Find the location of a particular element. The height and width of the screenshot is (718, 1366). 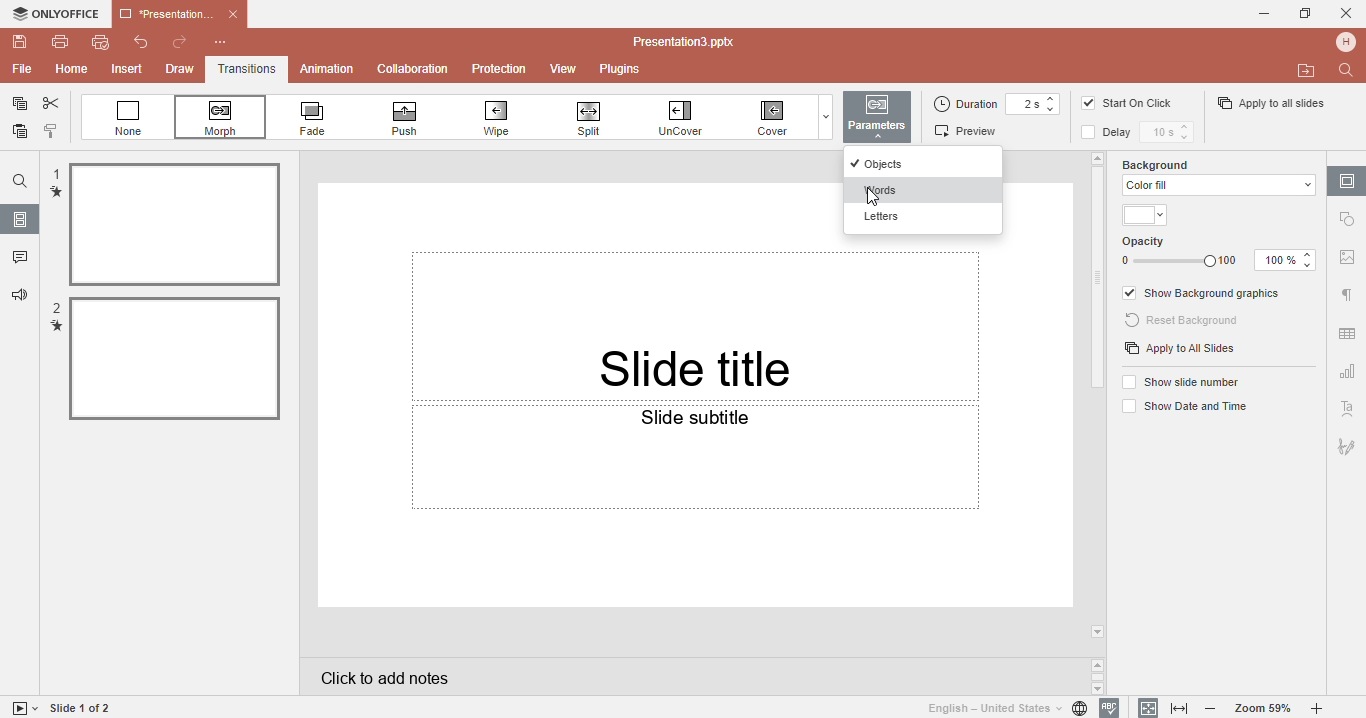

Home is located at coordinates (71, 69).